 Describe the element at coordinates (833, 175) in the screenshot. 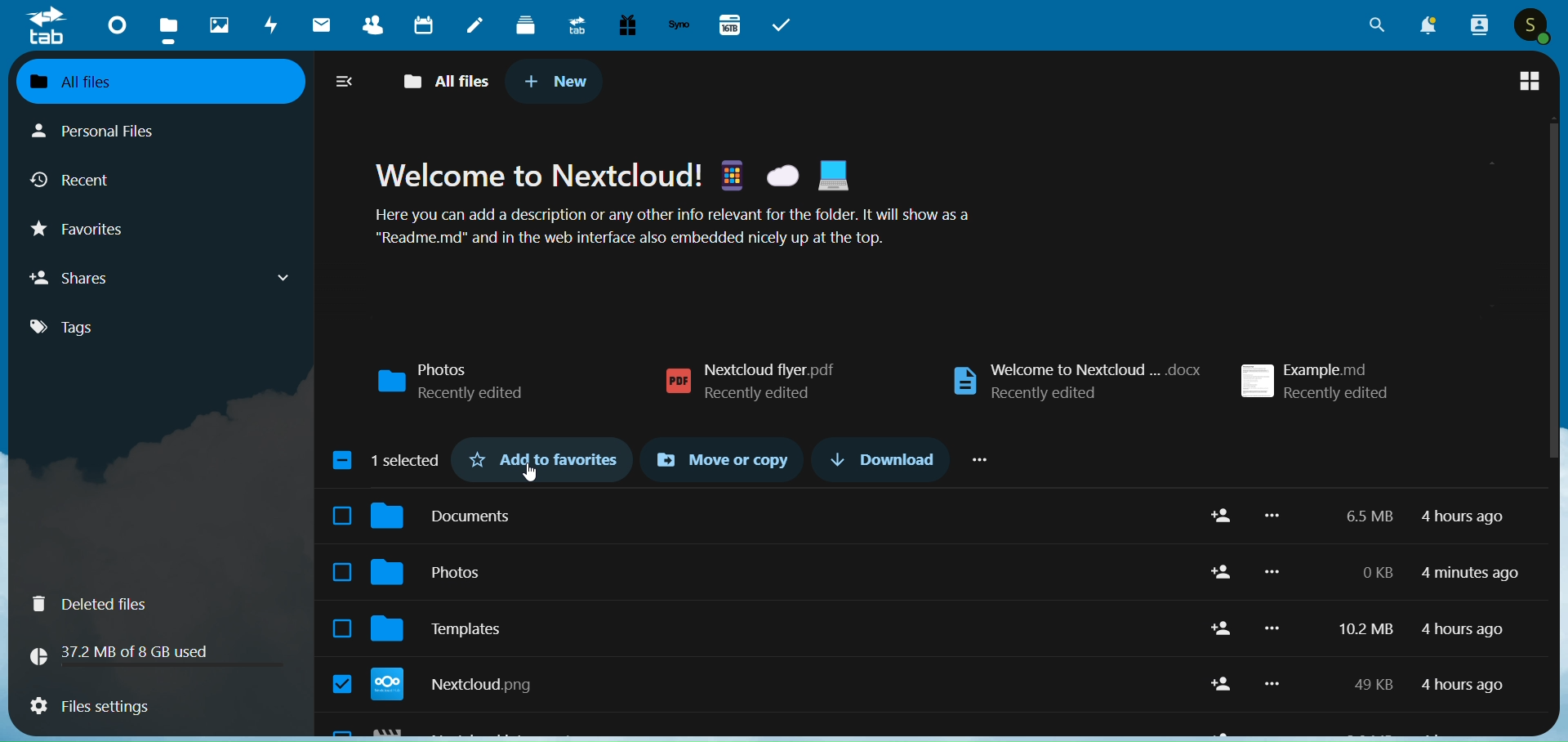

I see `Laptop emoji` at that location.